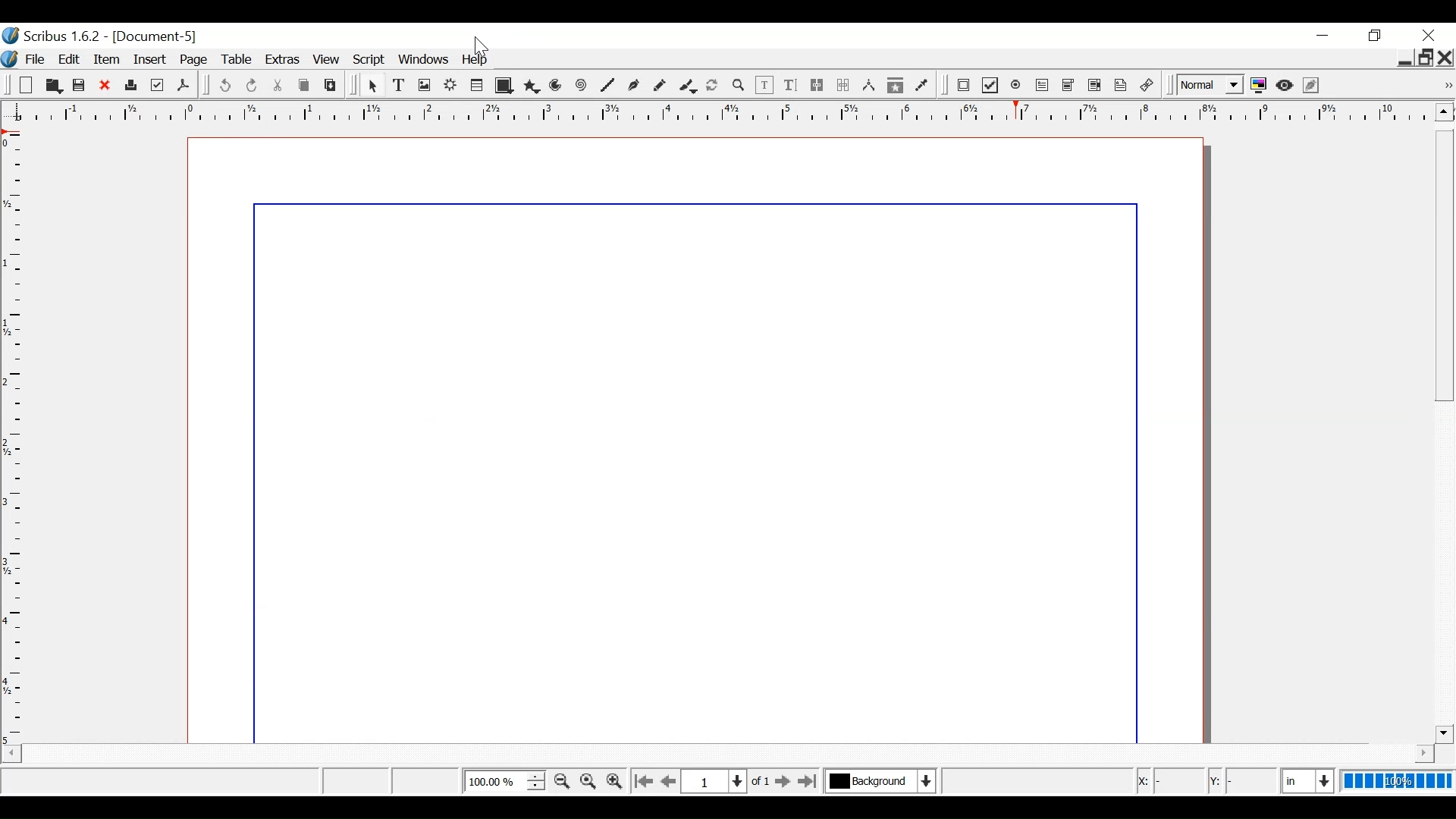  I want to click on Cursor, so click(485, 48).